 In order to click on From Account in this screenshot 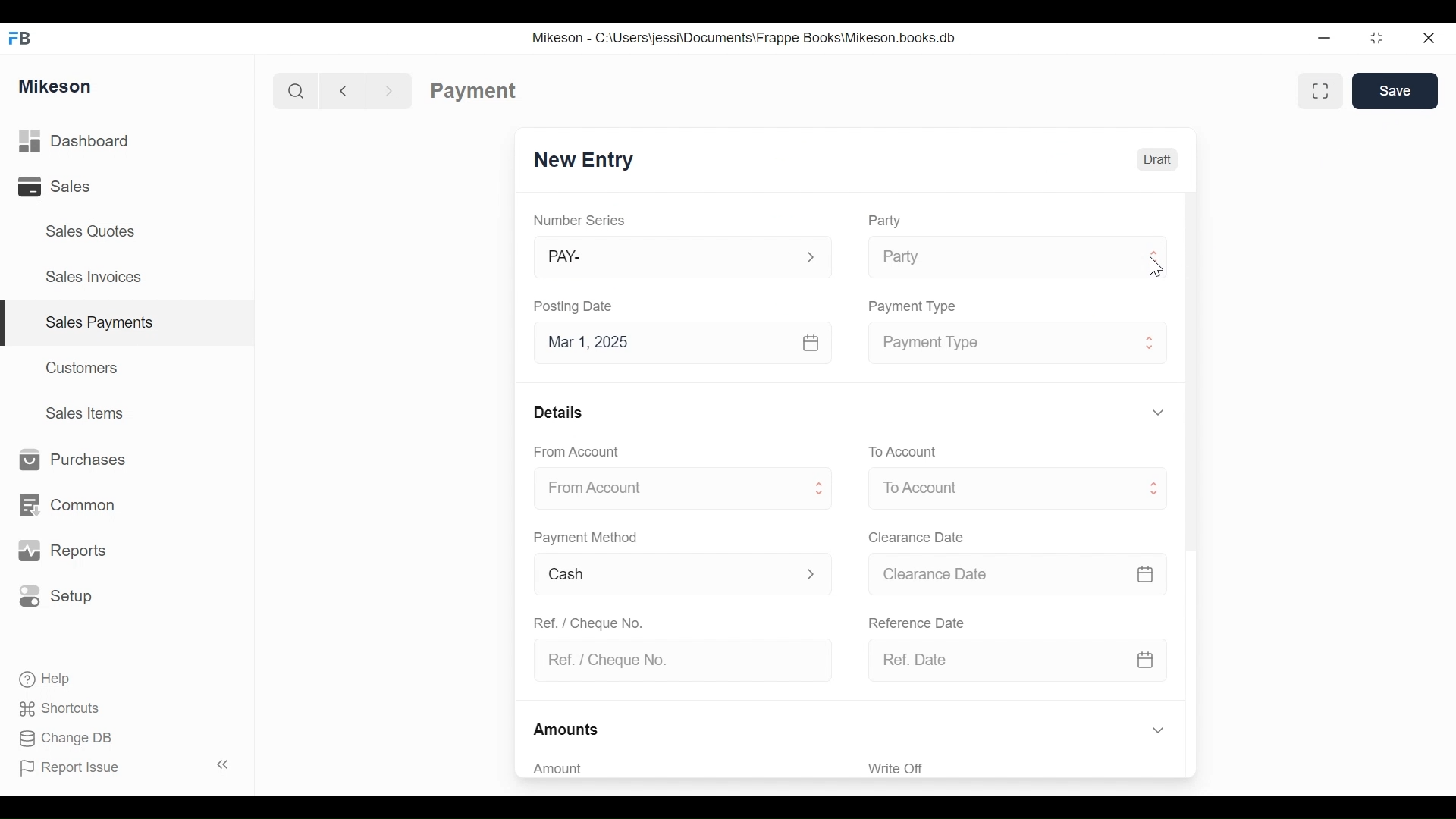, I will do `click(580, 451)`.